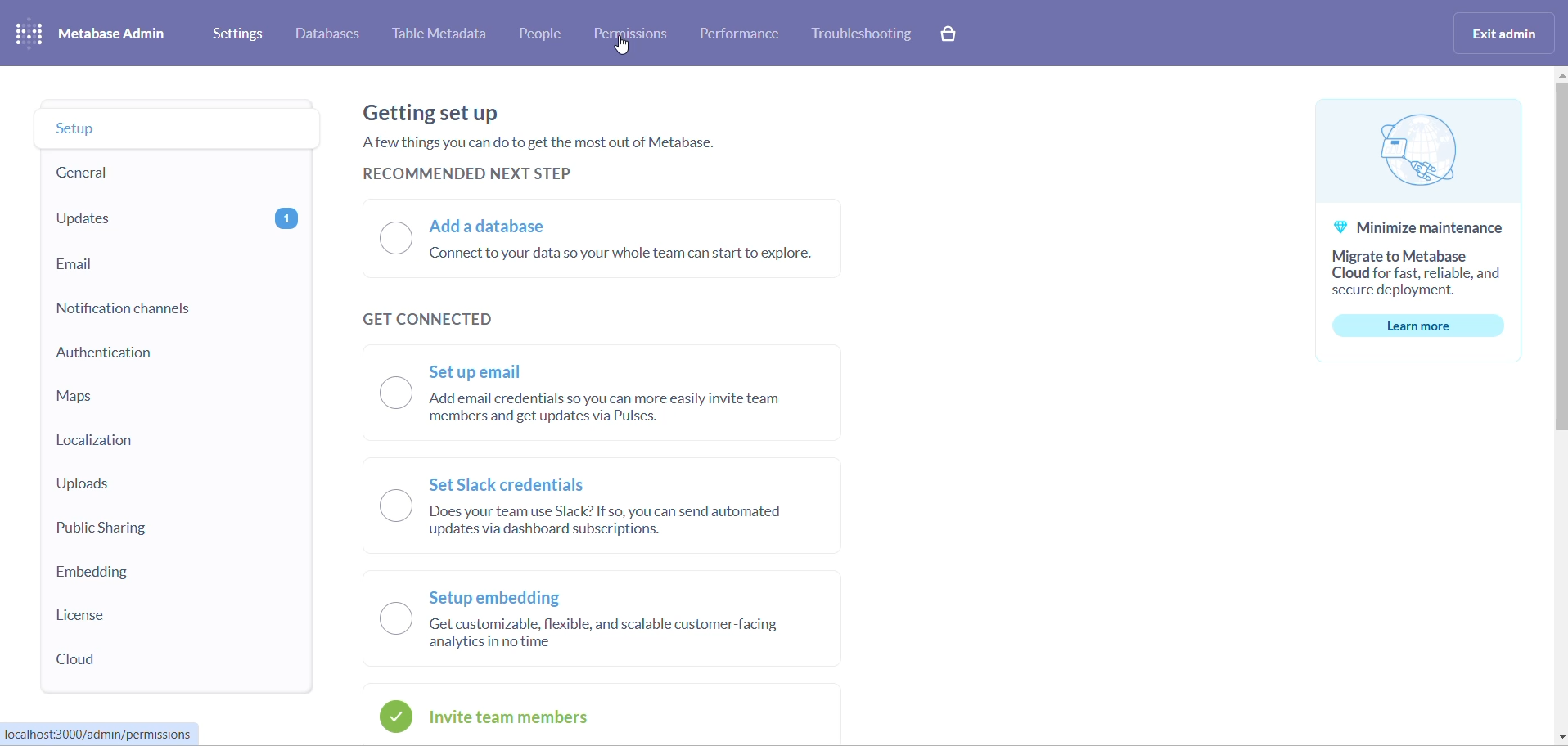 Image resolution: width=1568 pixels, height=746 pixels. Describe the element at coordinates (160, 356) in the screenshot. I see `authentication` at that location.